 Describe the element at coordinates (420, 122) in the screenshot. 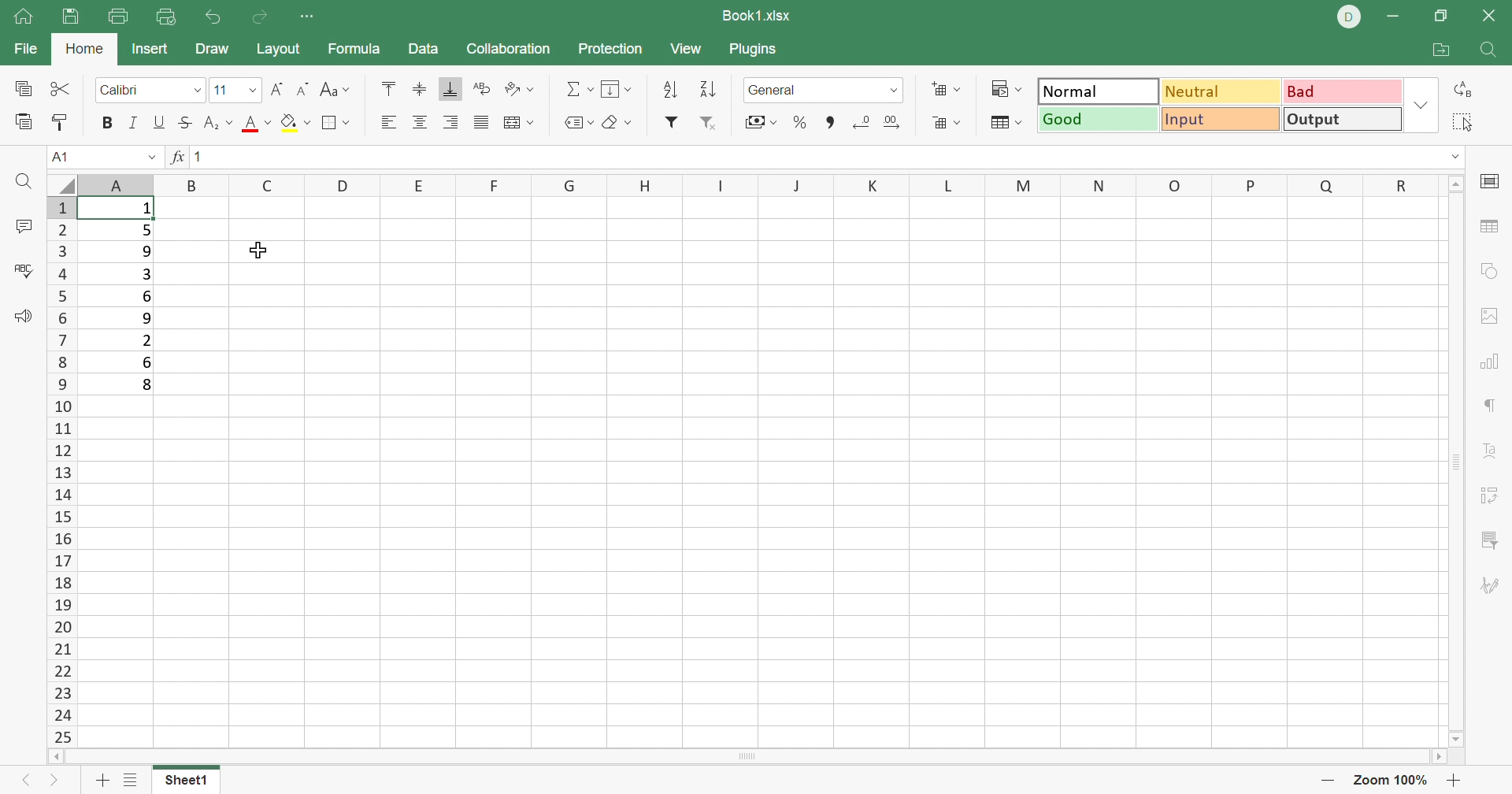

I see `Align Center` at that location.